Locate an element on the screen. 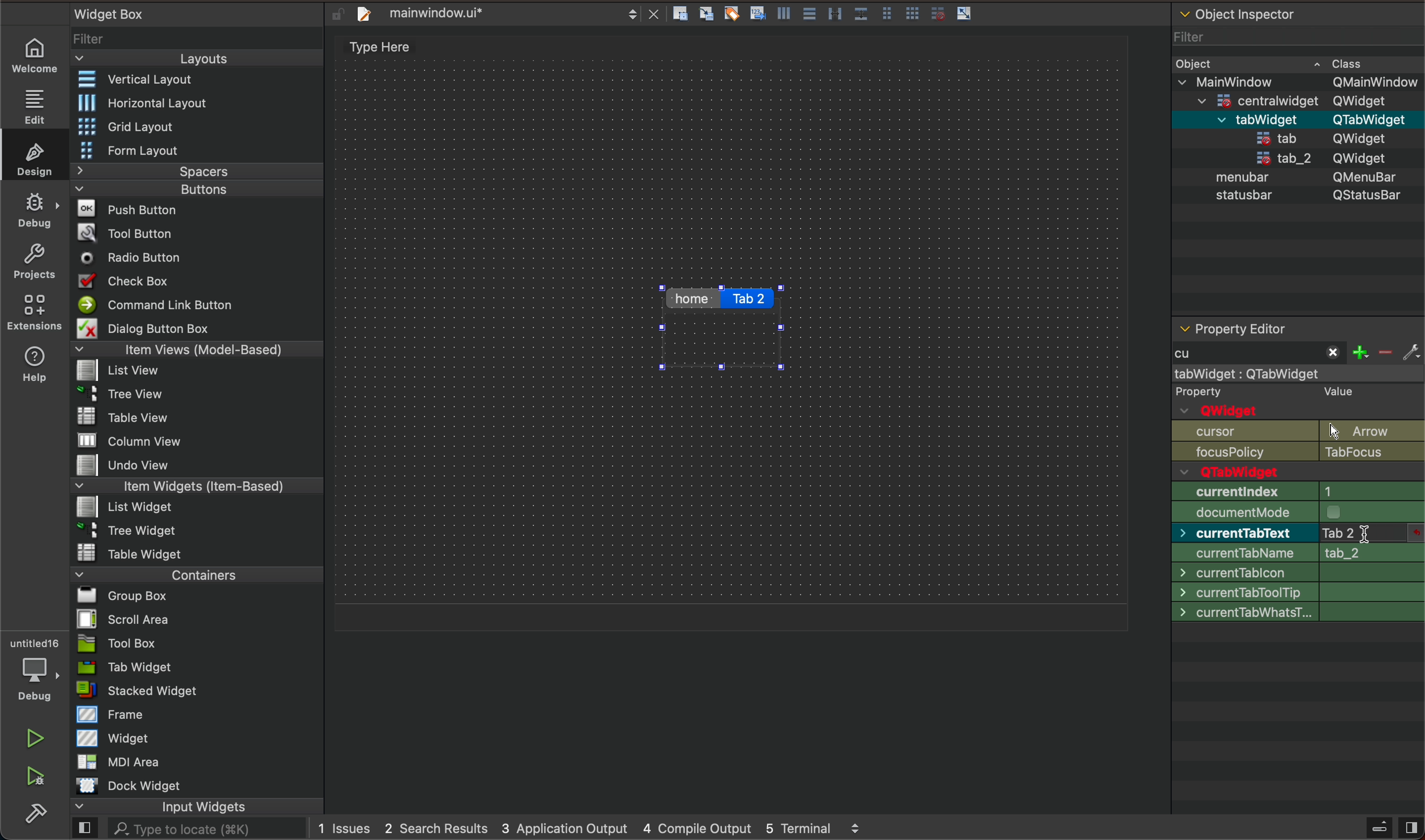 The image size is (1425, 840).  MDI Area is located at coordinates (128, 761).